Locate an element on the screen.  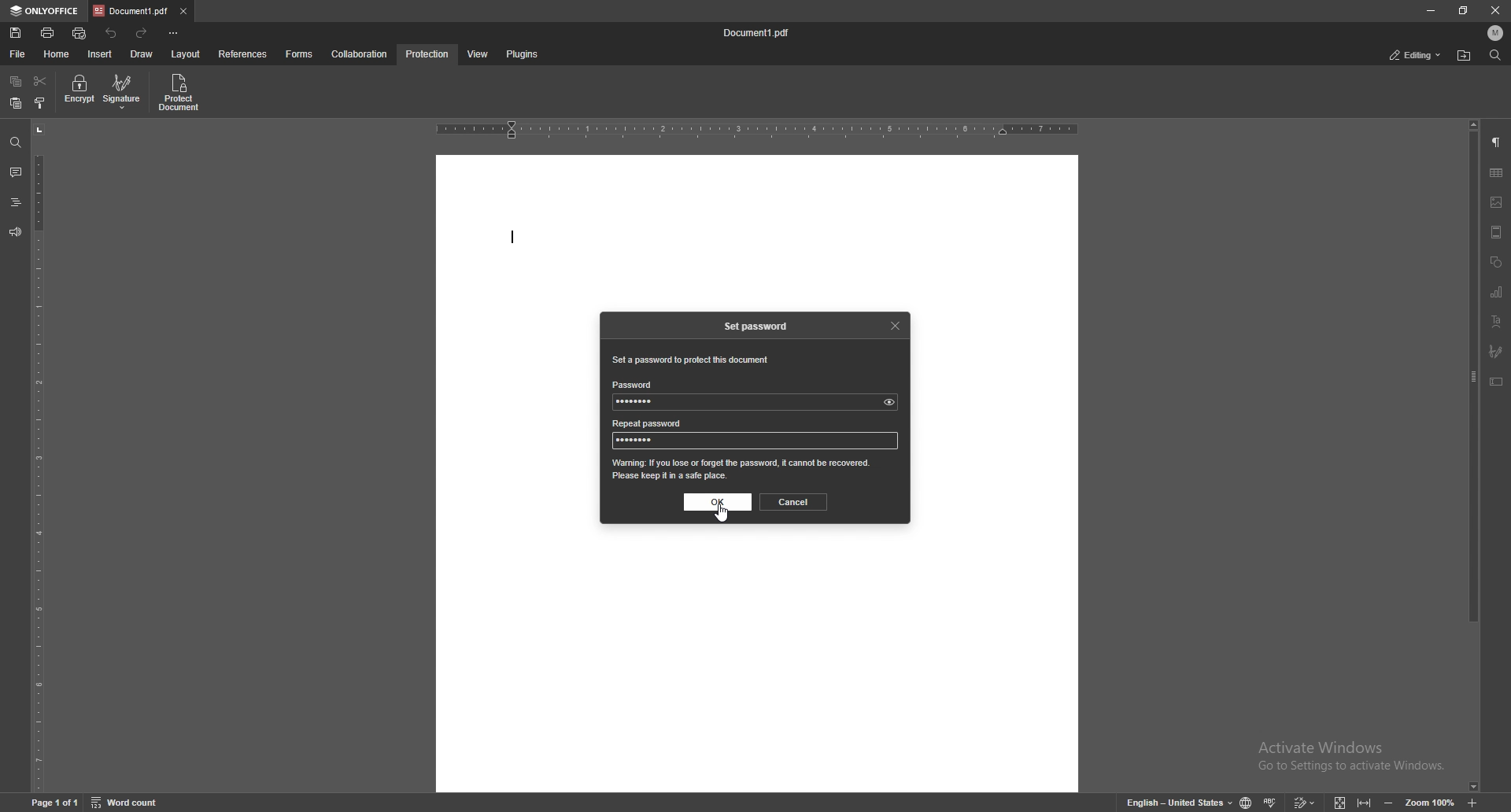
forms is located at coordinates (300, 54).